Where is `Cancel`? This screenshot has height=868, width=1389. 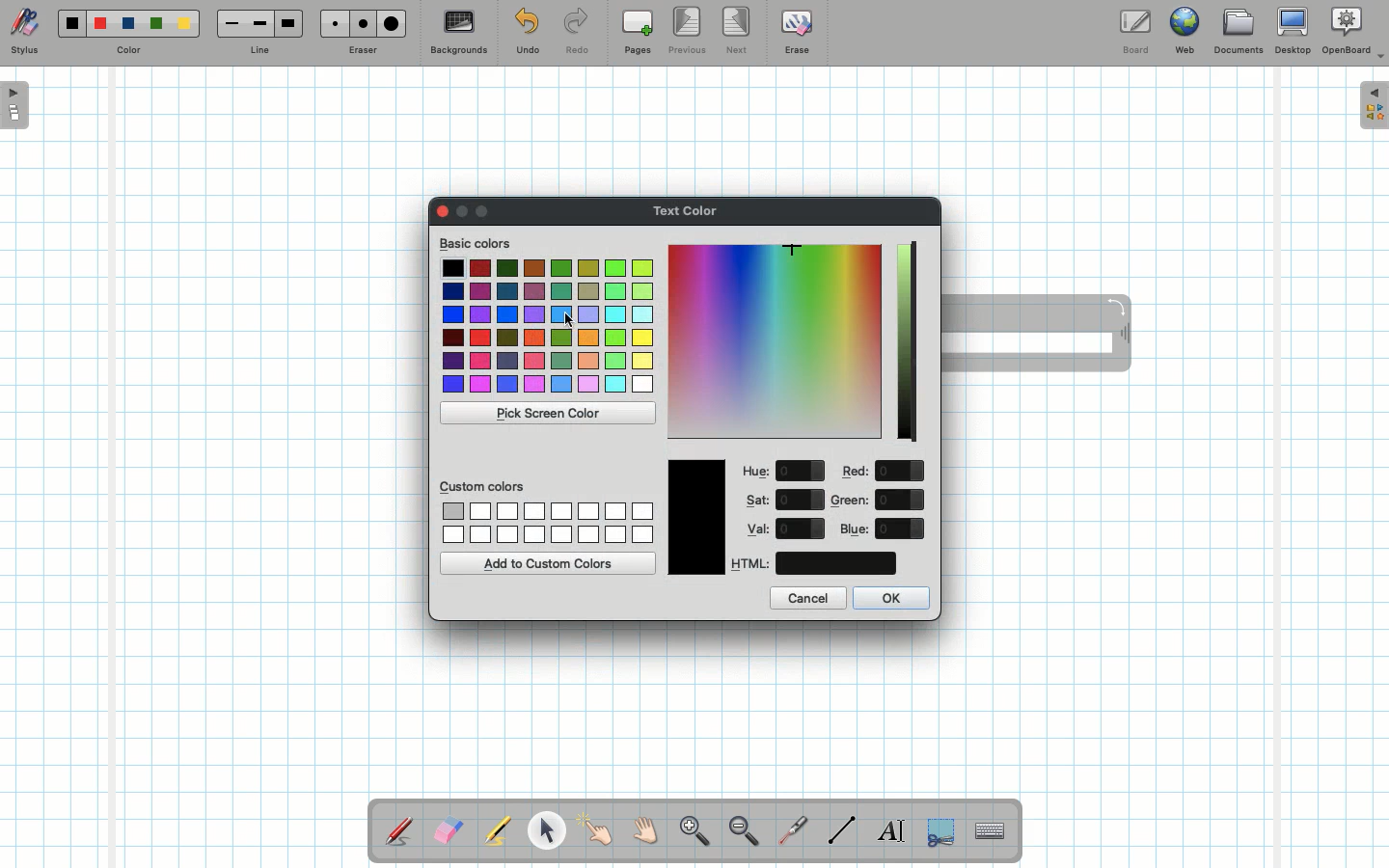
Cancel is located at coordinates (807, 598).